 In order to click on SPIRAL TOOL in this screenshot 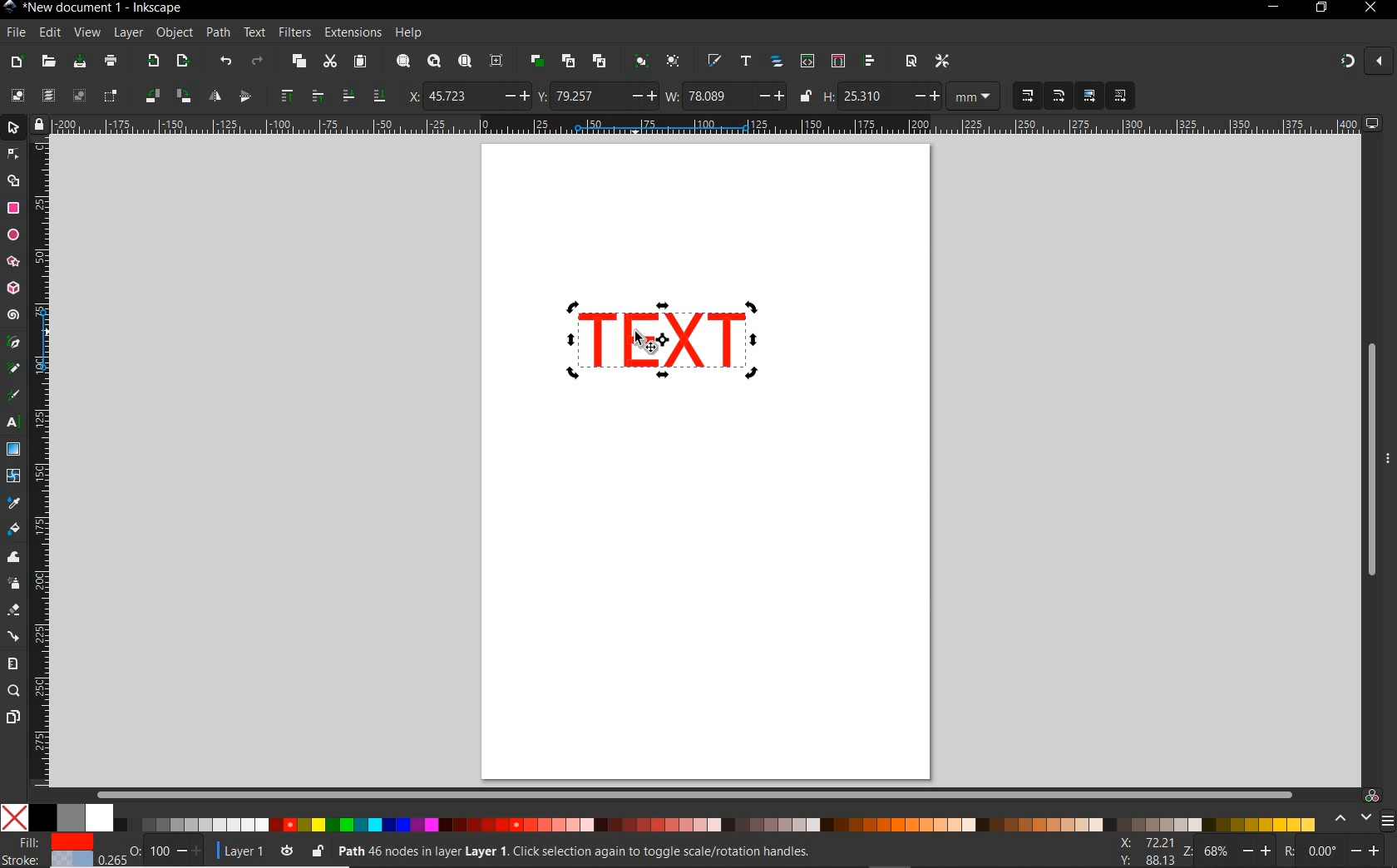, I will do `click(13, 316)`.